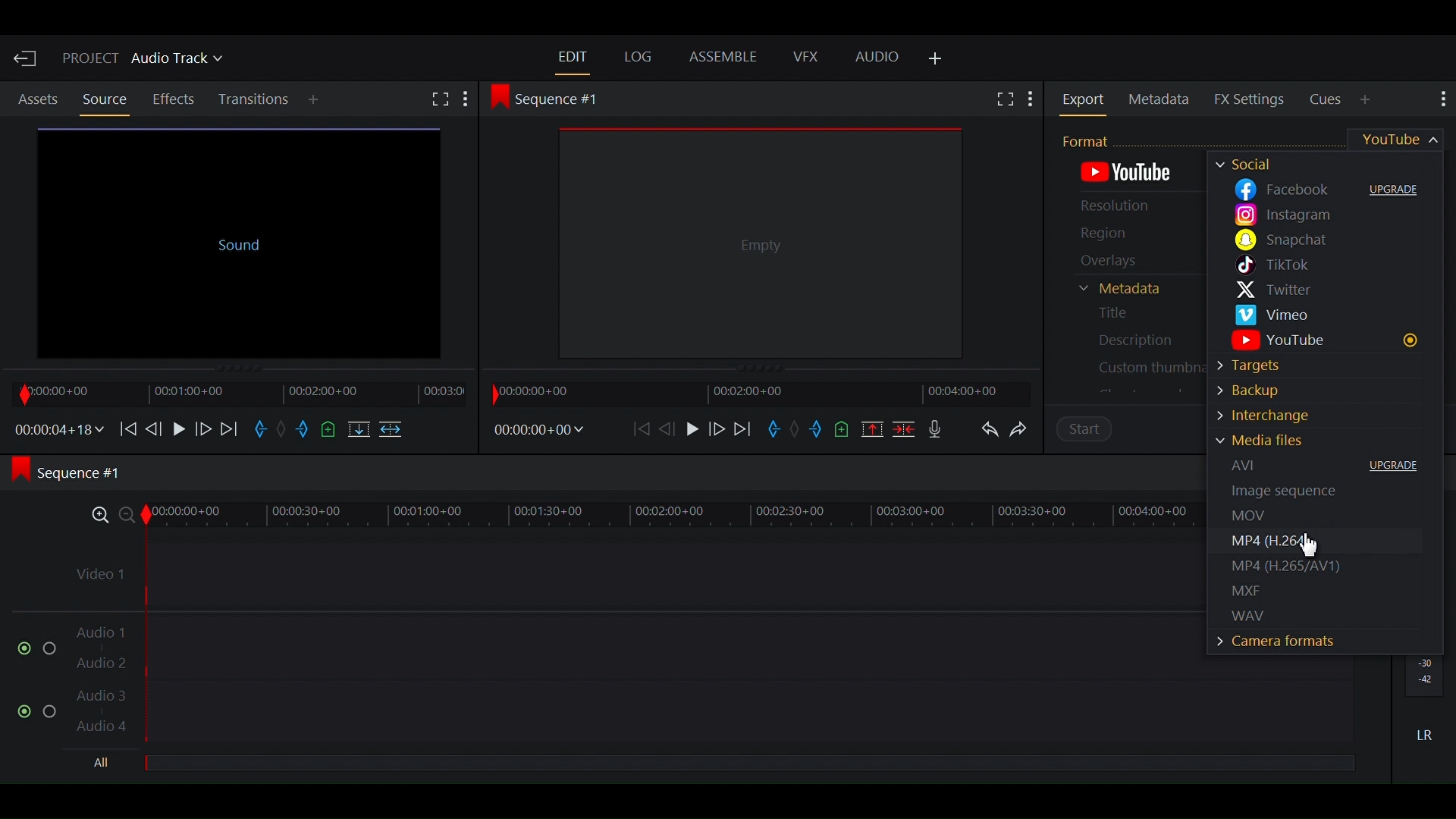 This screenshot has width=1456, height=819. I want to click on Add Panel, so click(1367, 99).